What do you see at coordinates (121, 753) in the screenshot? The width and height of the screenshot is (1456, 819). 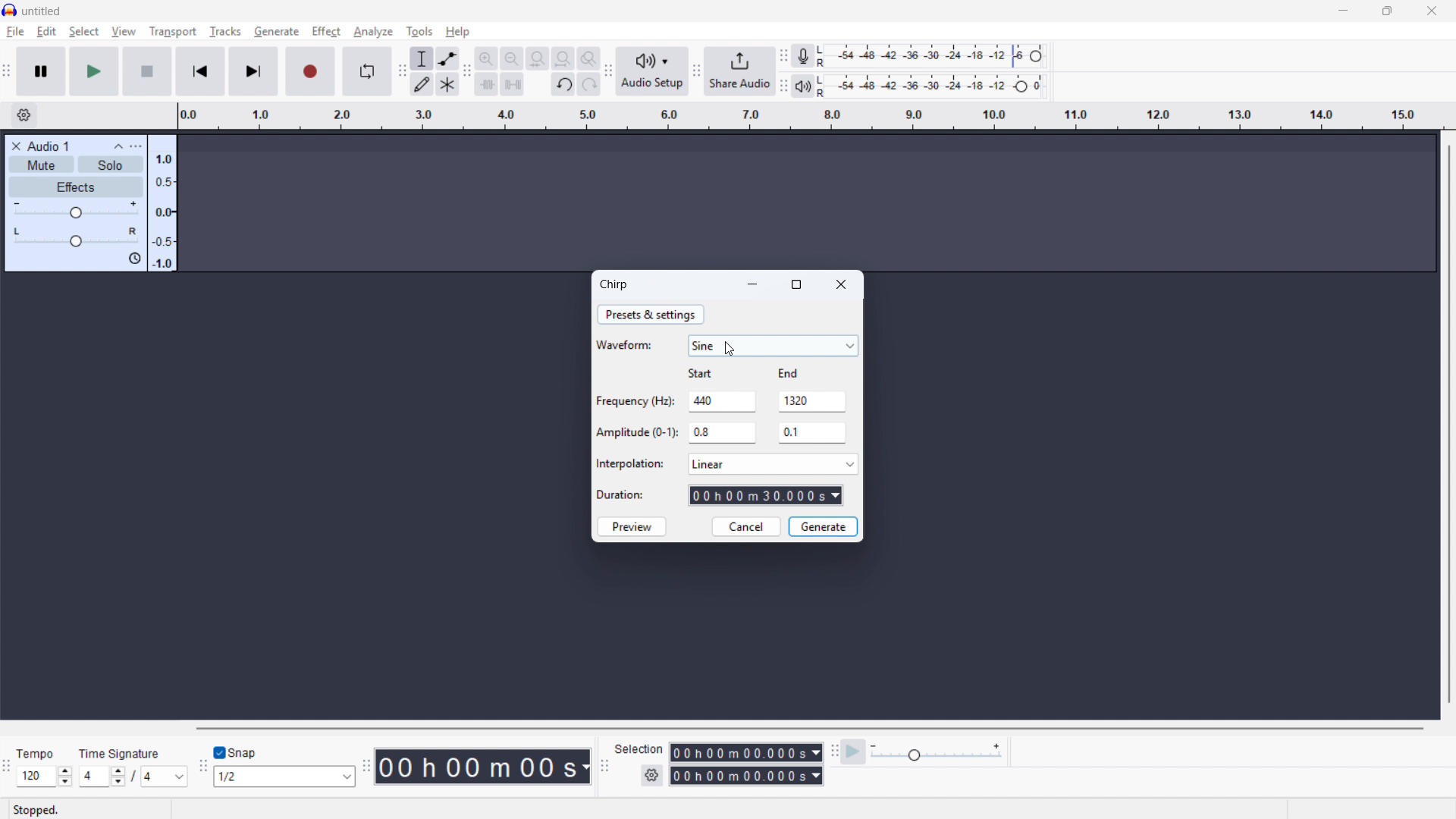 I see `Time signature` at bounding box center [121, 753].